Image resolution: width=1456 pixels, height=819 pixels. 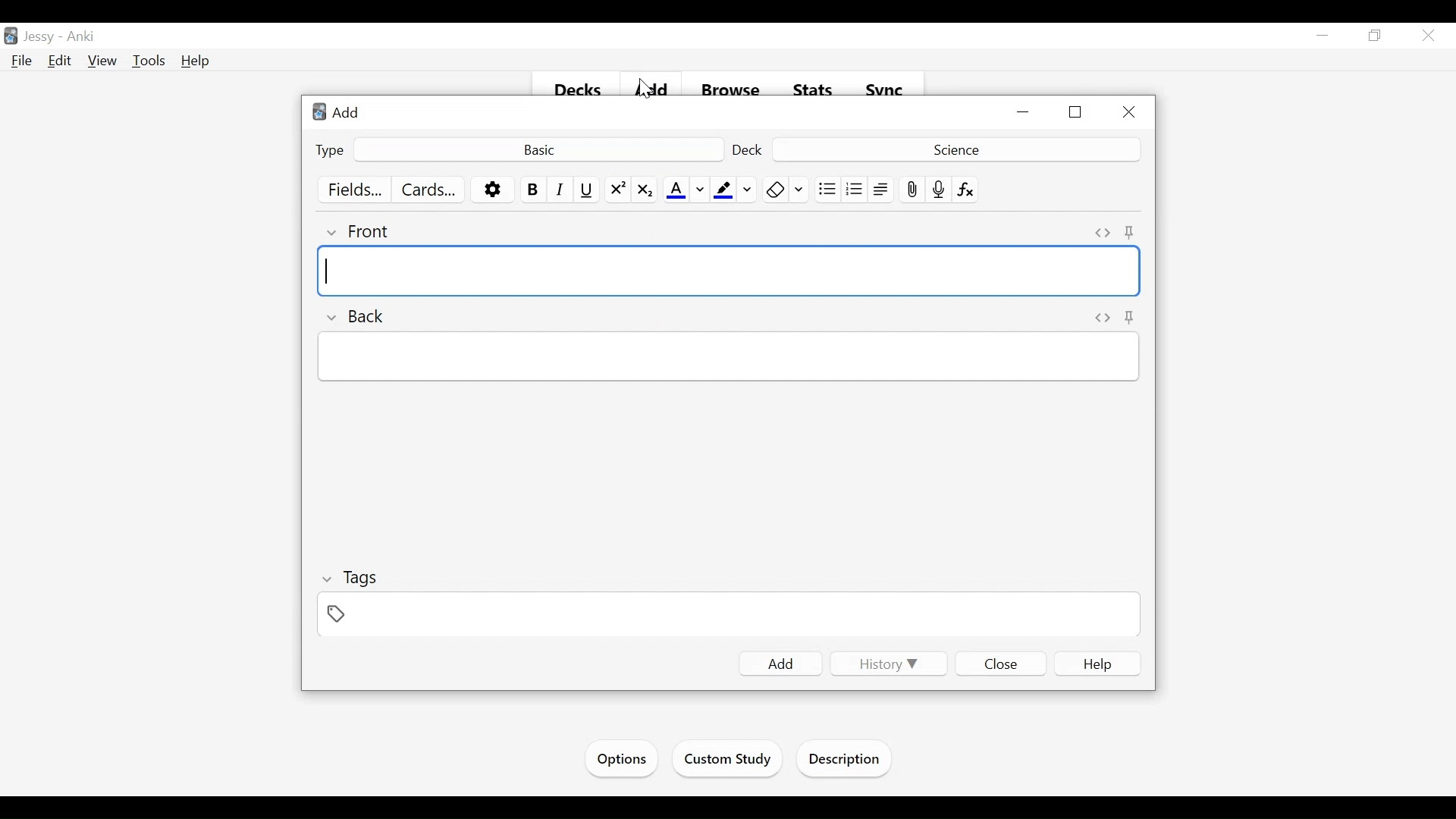 What do you see at coordinates (1077, 113) in the screenshot?
I see `Restore` at bounding box center [1077, 113].